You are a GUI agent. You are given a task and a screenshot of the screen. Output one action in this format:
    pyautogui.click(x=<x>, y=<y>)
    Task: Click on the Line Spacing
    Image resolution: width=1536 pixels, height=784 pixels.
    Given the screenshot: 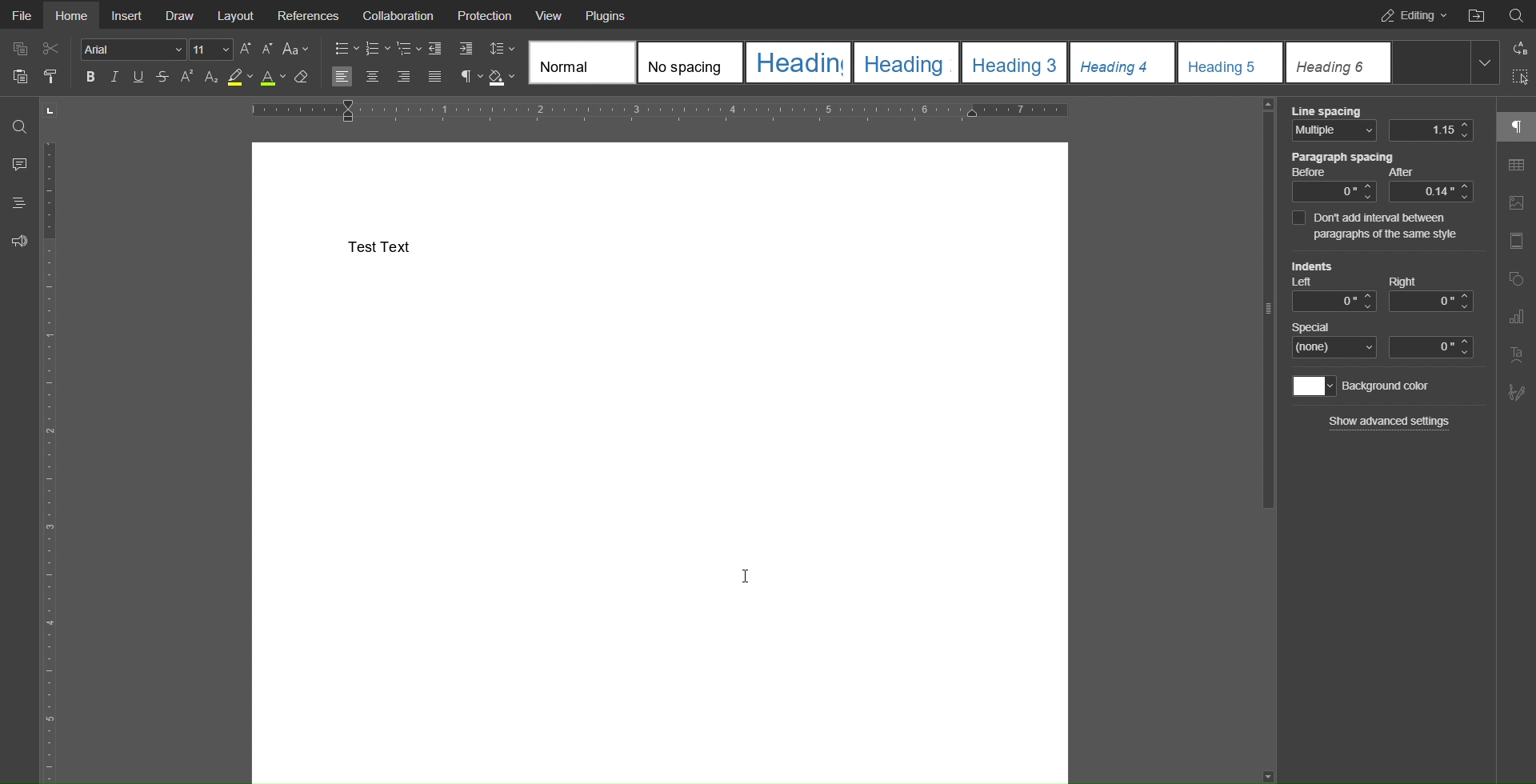 What is the action you would take?
    pyautogui.click(x=501, y=47)
    